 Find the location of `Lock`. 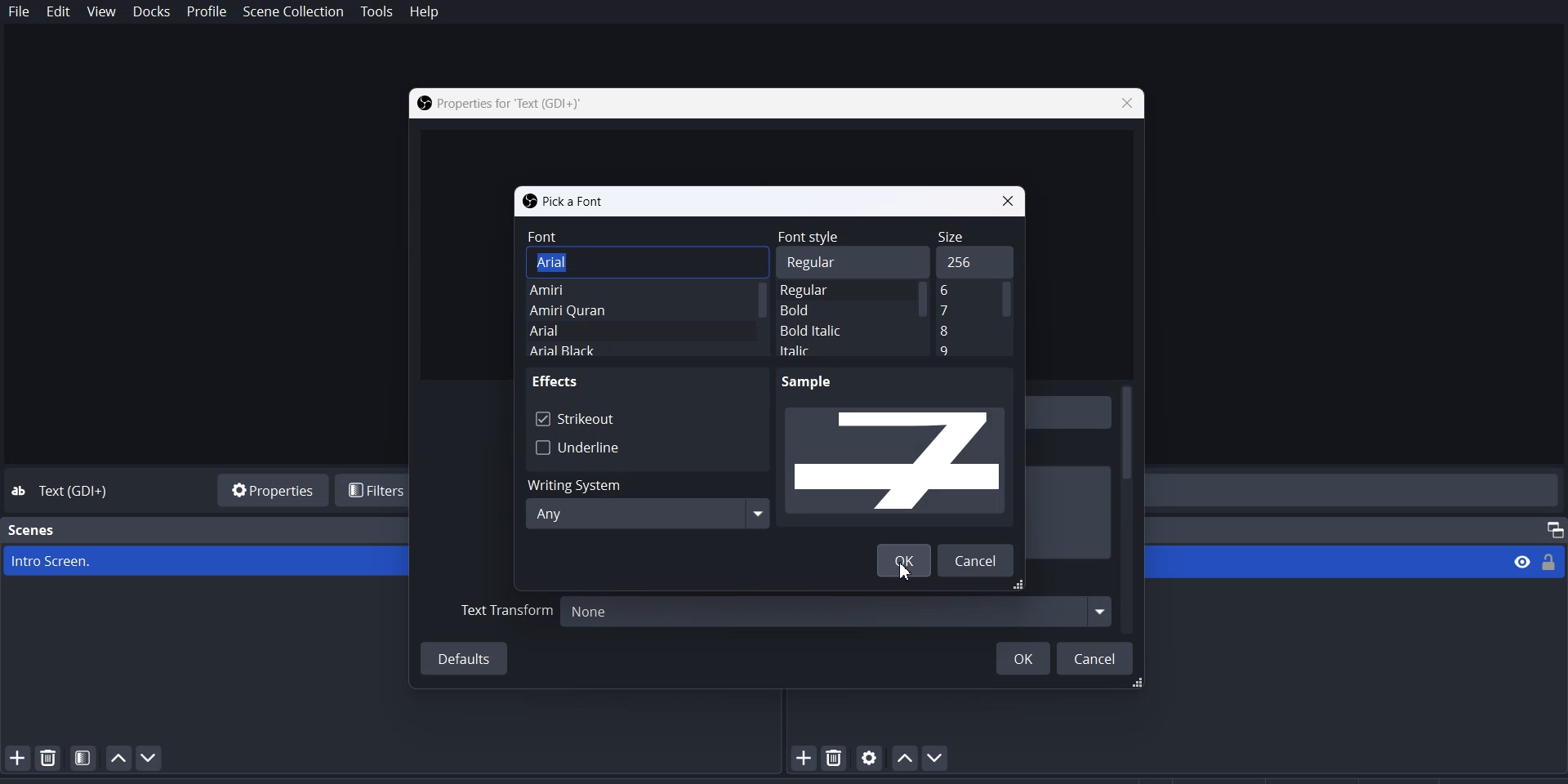

Lock is located at coordinates (1554, 560).